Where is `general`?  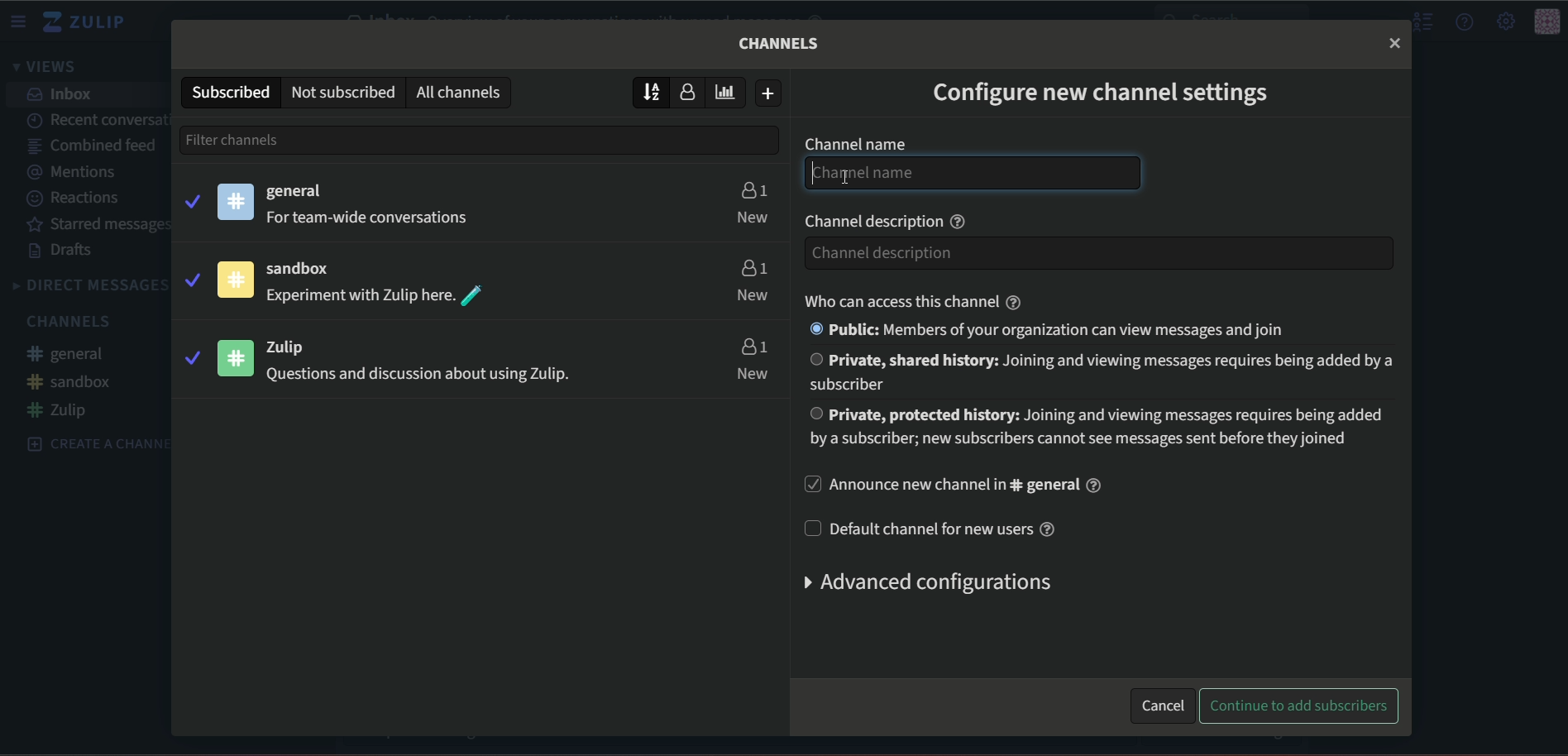 general is located at coordinates (301, 192).